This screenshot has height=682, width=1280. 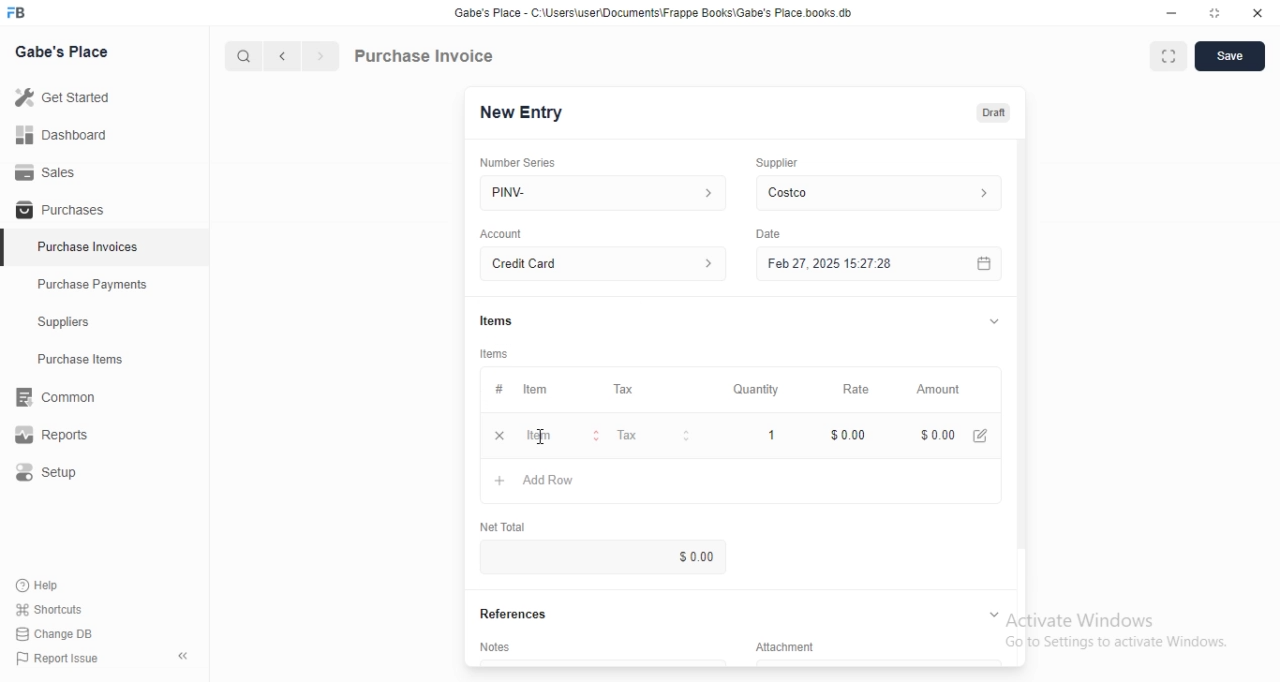 What do you see at coordinates (49, 586) in the screenshot?
I see `Help` at bounding box center [49, 586].